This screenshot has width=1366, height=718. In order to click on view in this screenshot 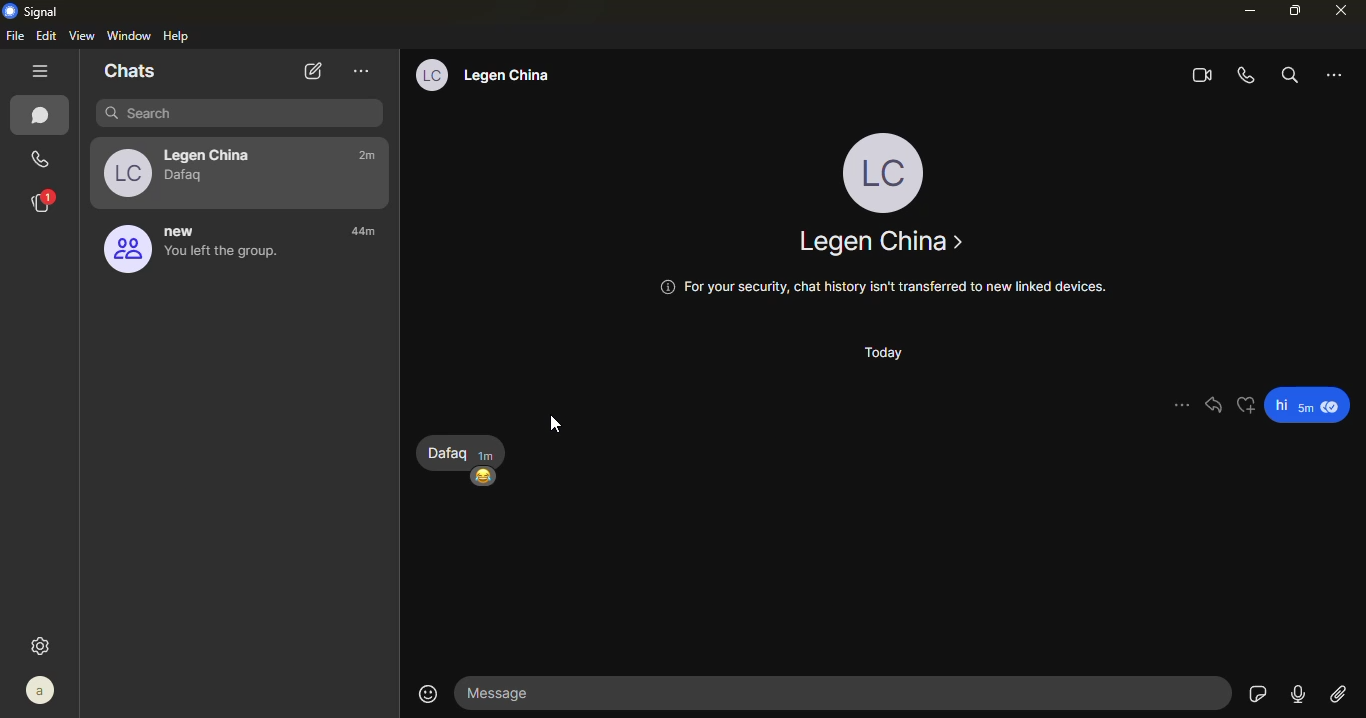, I will do `click(83, 35)`.